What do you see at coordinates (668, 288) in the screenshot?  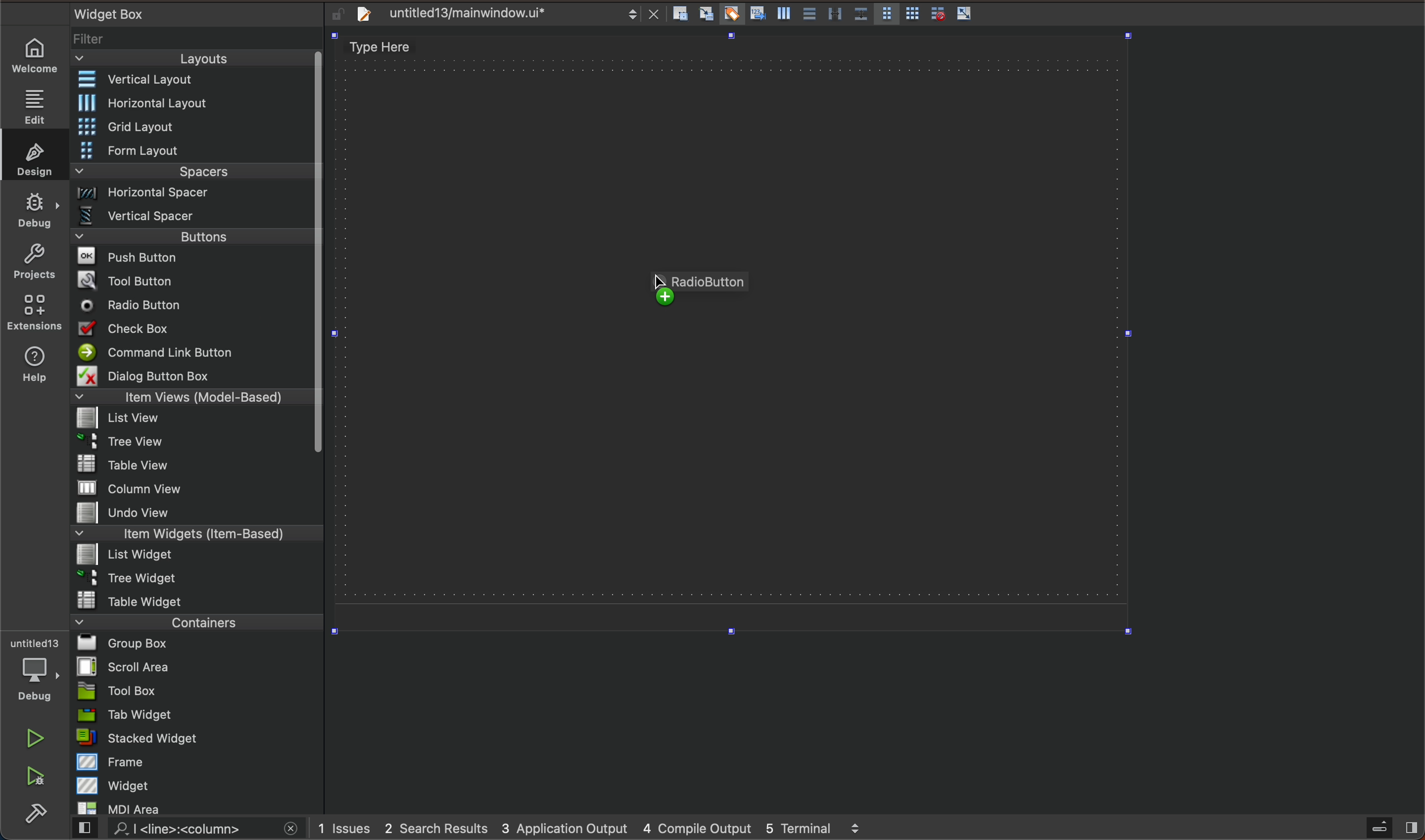 I see `cursor` at bounding box center [668, 288].